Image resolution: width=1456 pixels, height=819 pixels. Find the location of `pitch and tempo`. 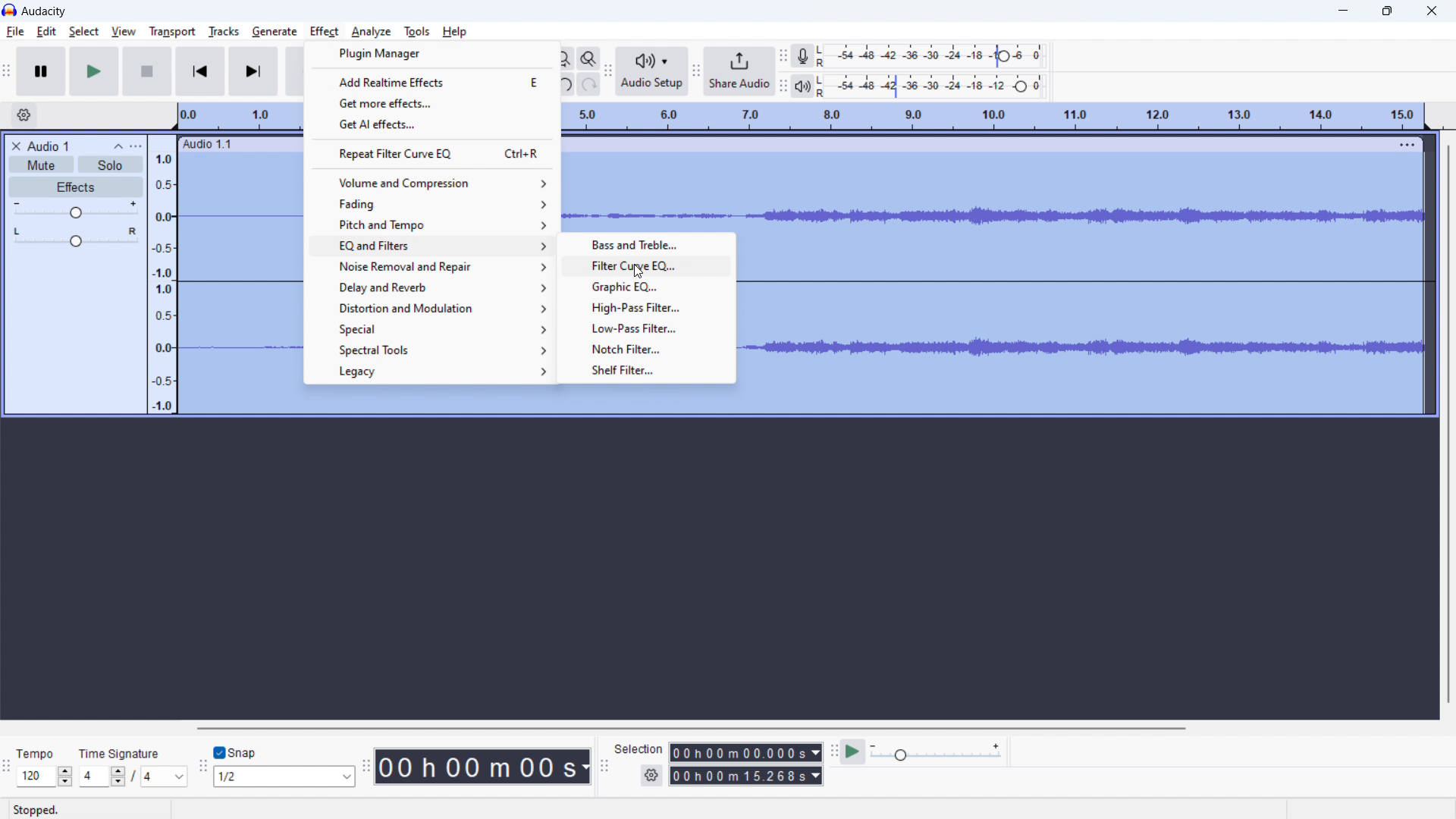

pitch and tempo is located at coordinates (431, 225).